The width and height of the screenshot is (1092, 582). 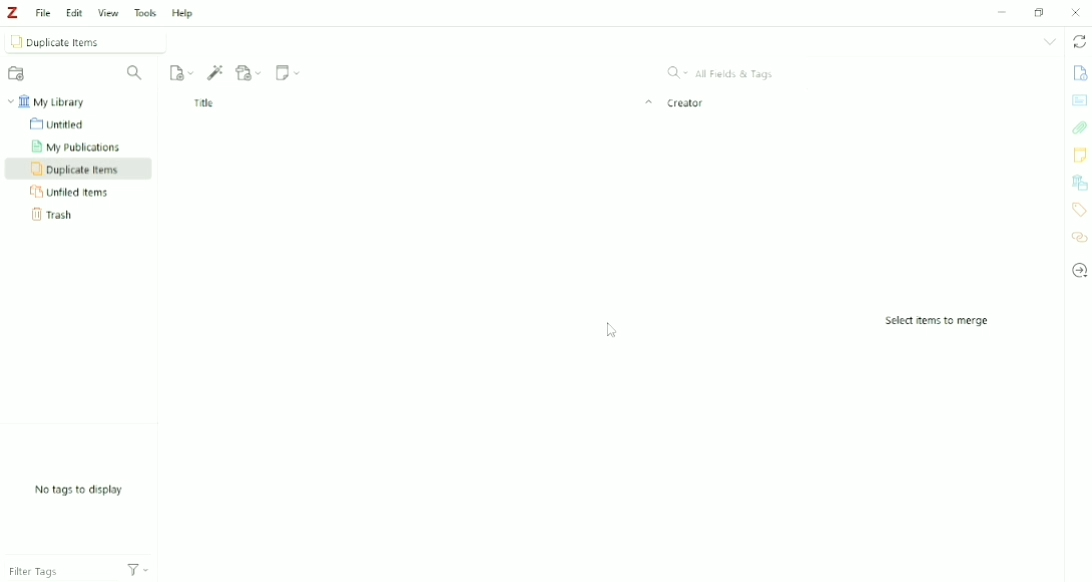 I want to click on View, so click(x=109, y=13).